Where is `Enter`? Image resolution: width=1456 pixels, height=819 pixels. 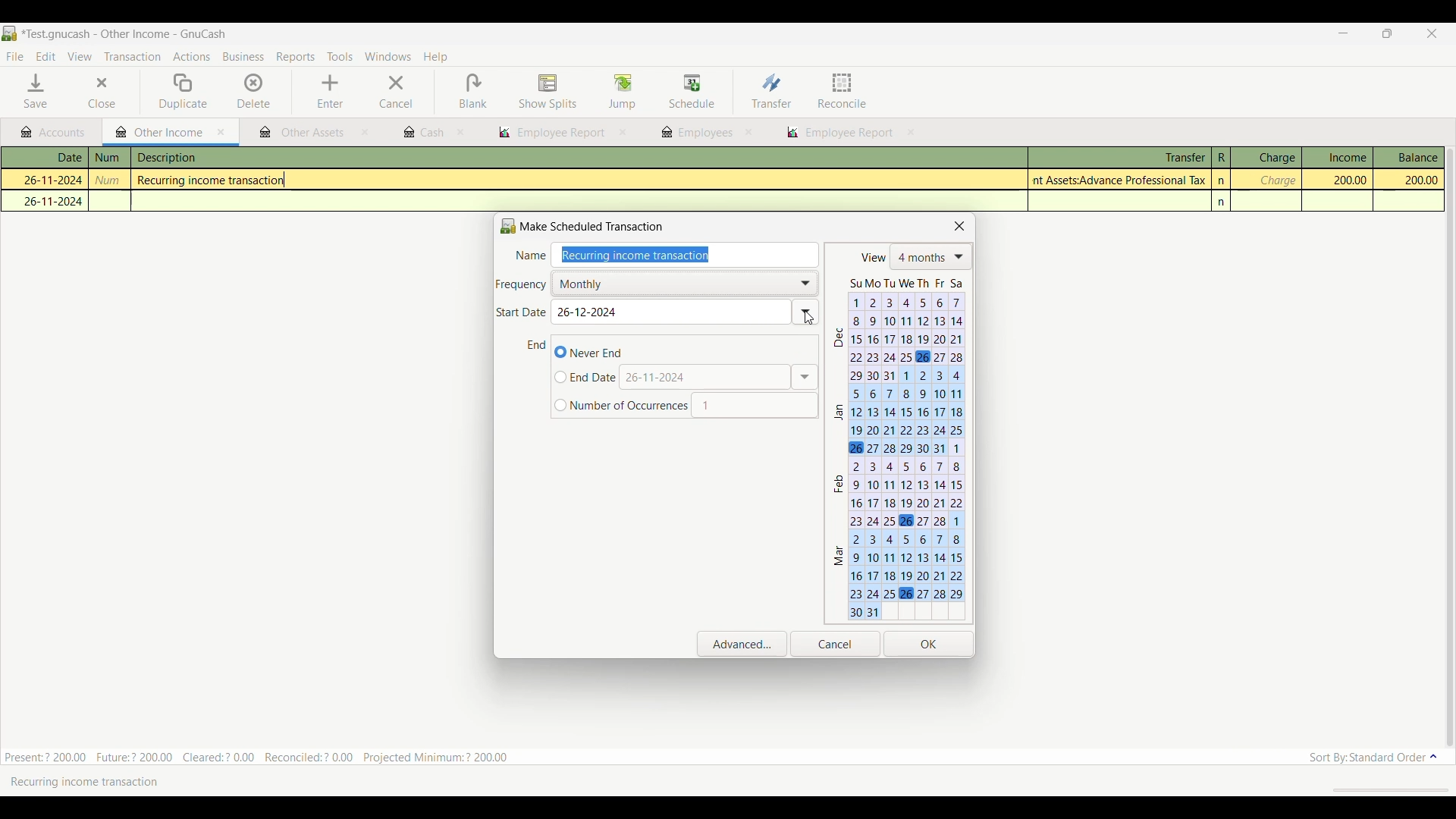 Enter is located at coordinates (330, 92).